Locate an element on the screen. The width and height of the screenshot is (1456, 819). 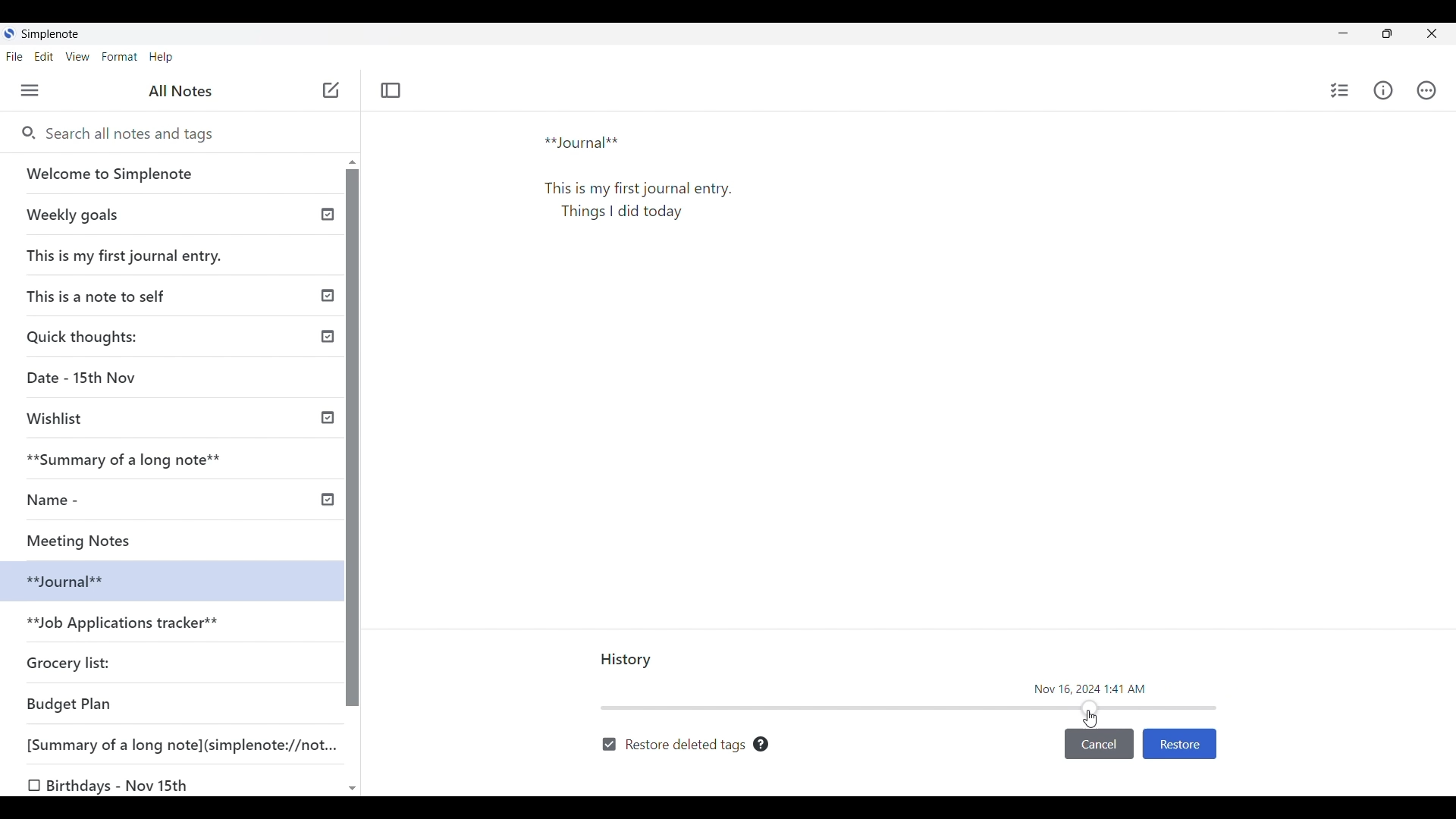
Date - 15th Nov is located at coordinates (84, 378).